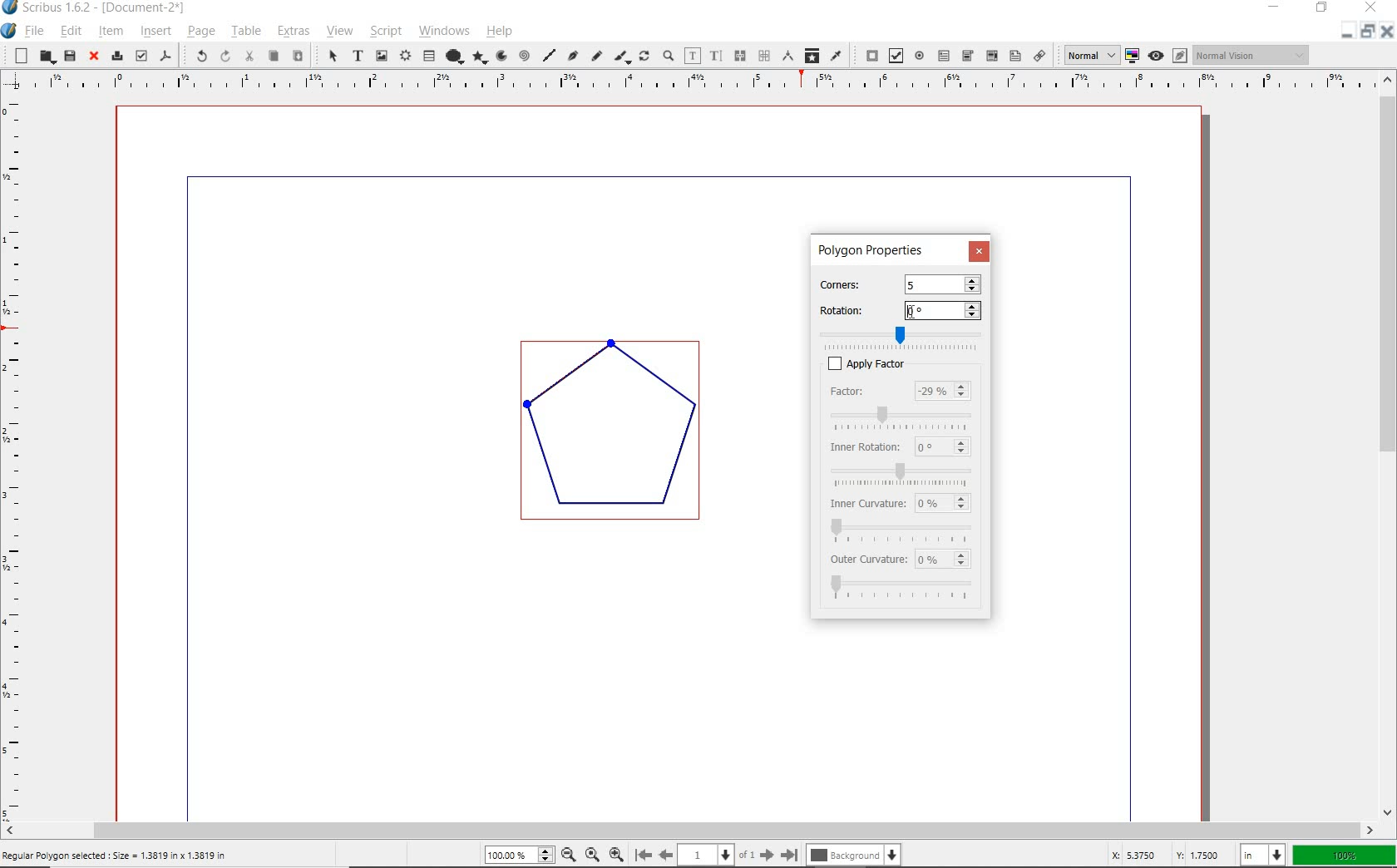  I want to click on inner curvature slider, so click(901, 529).